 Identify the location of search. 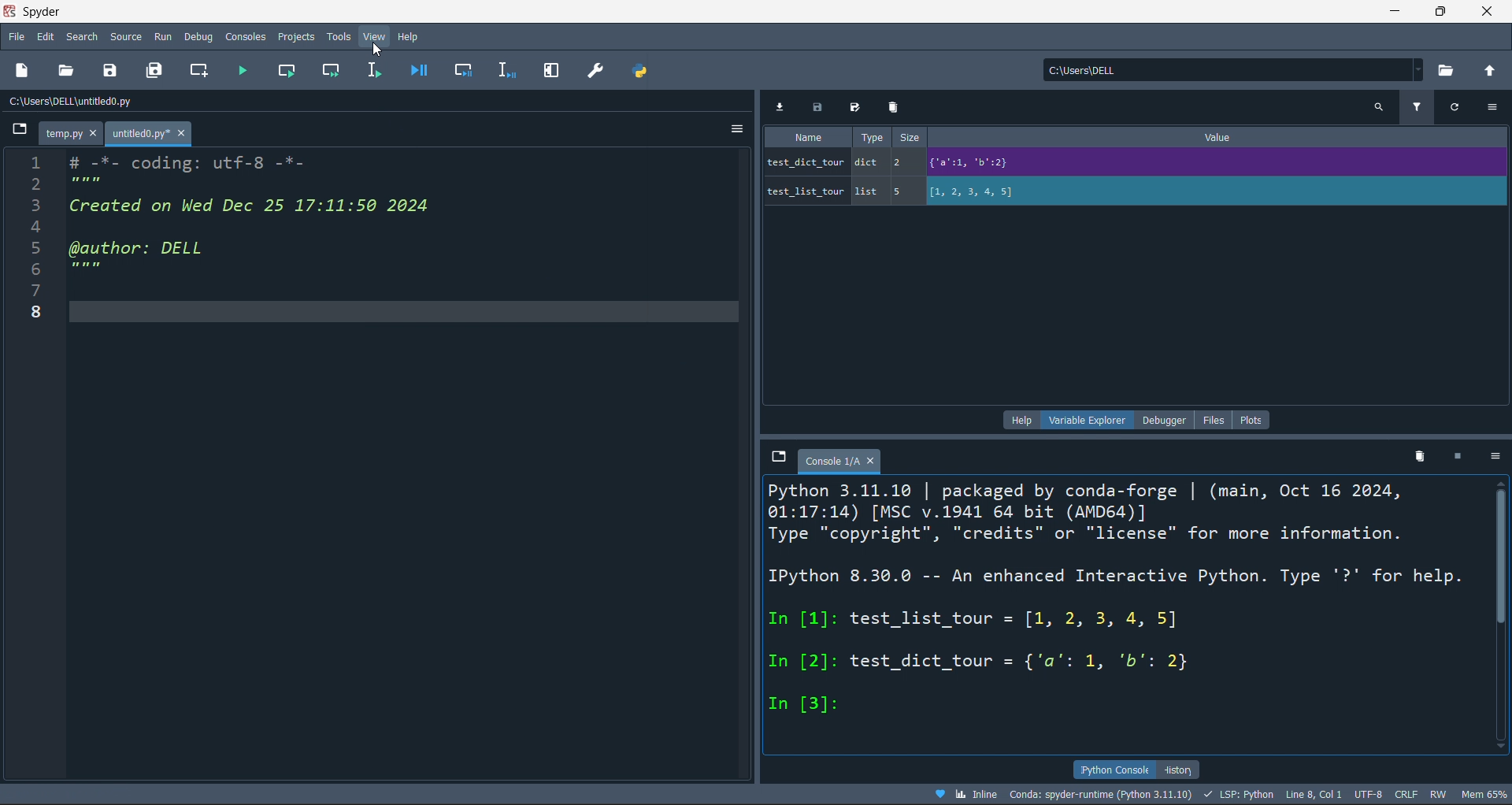
(80, 35).